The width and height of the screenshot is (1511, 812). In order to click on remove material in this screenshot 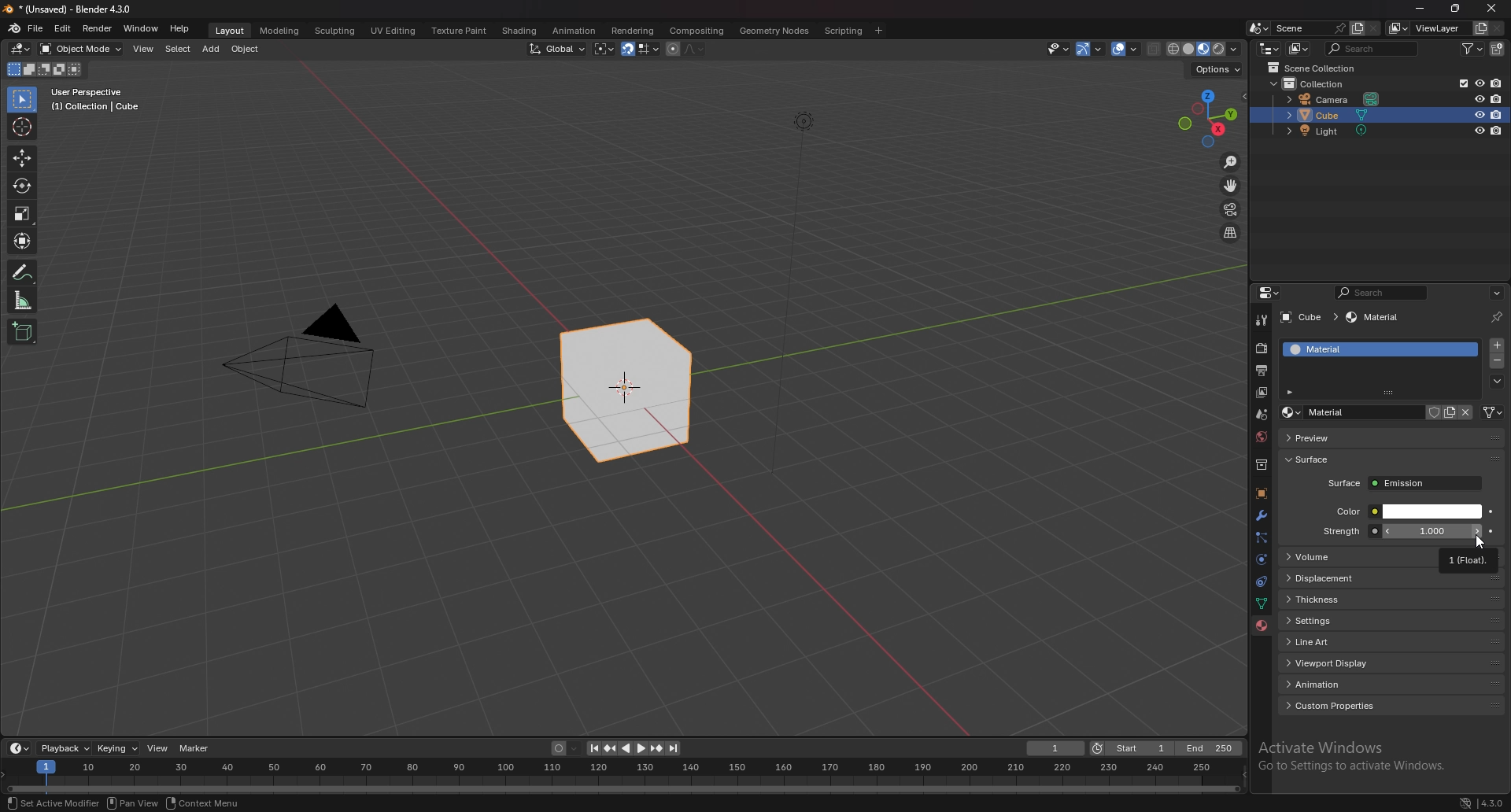, I will do `click(1498, 363)`.